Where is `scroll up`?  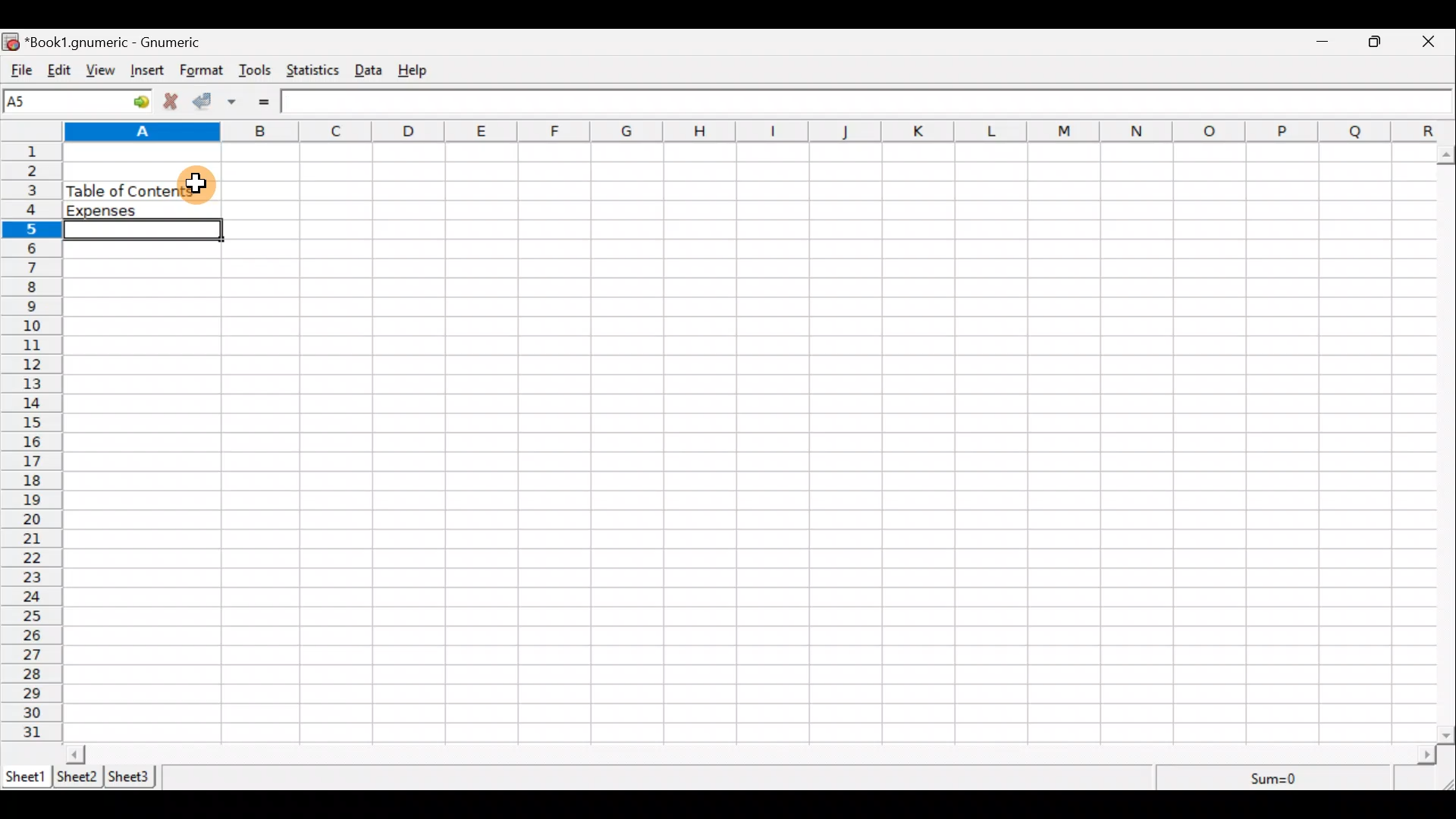
scroll up is located at coordinates (1447, 155).